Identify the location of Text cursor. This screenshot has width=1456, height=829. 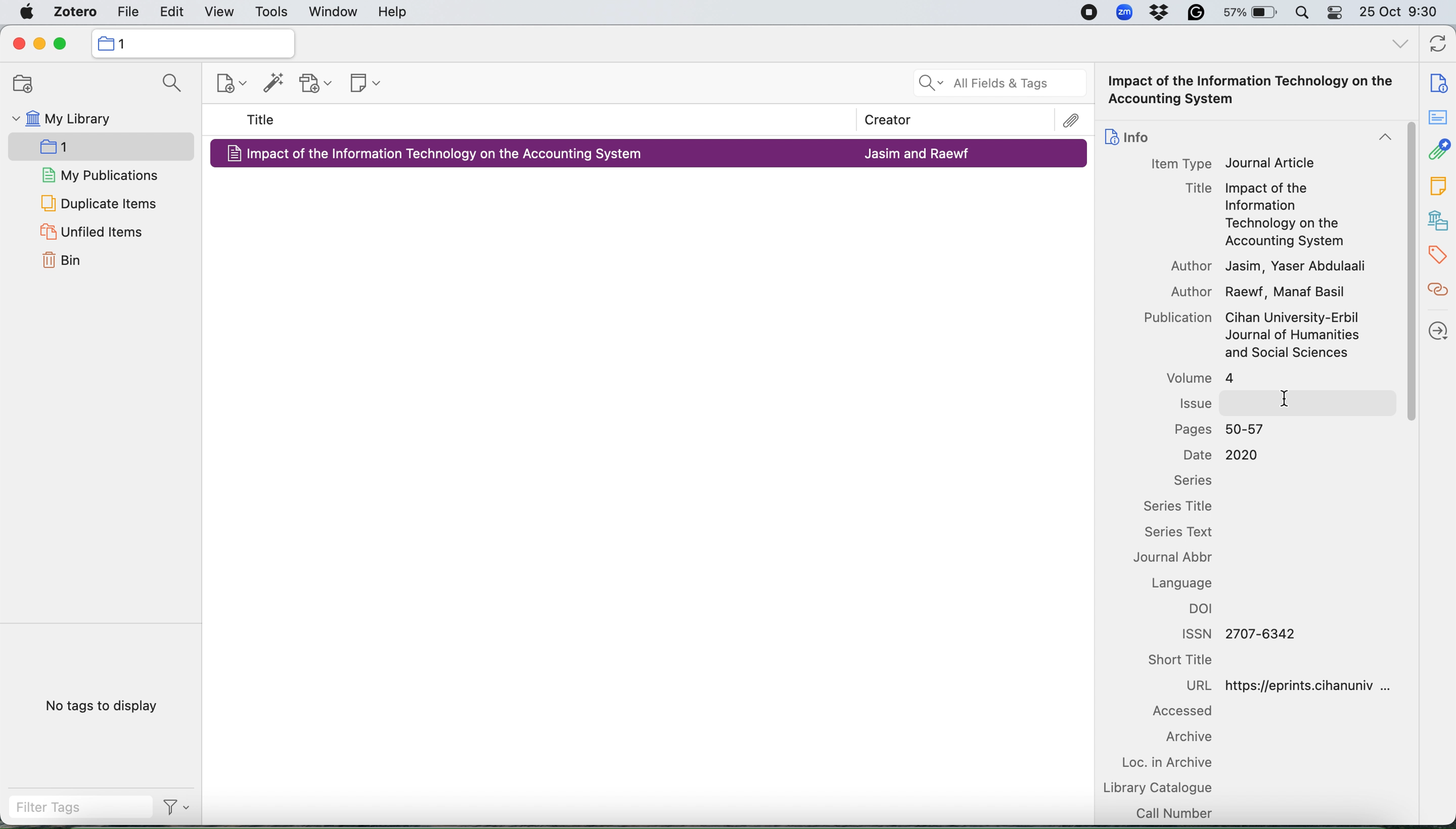
(1287, 397).